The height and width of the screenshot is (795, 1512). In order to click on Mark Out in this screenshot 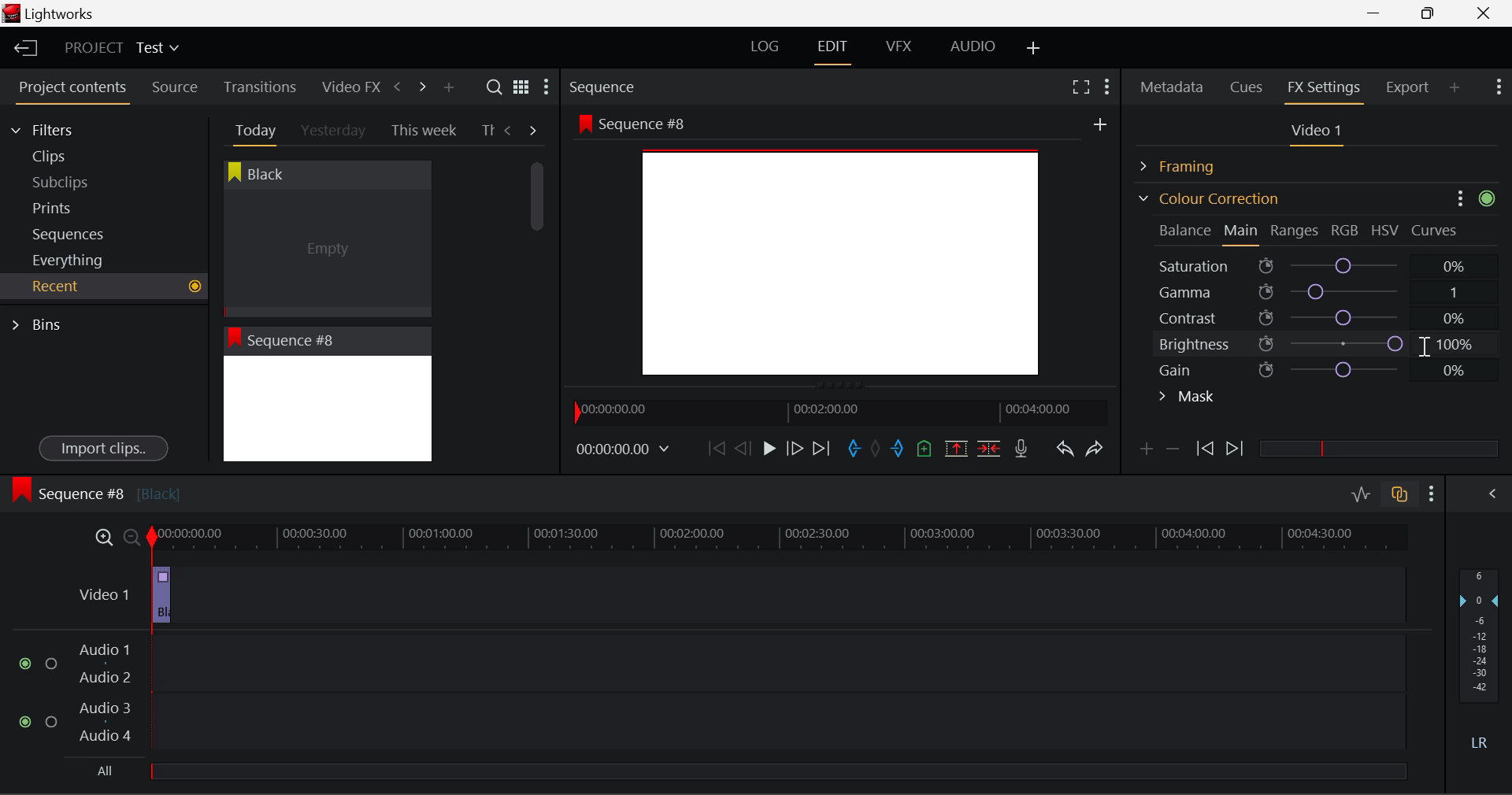, I will do `click(899, 449)`.